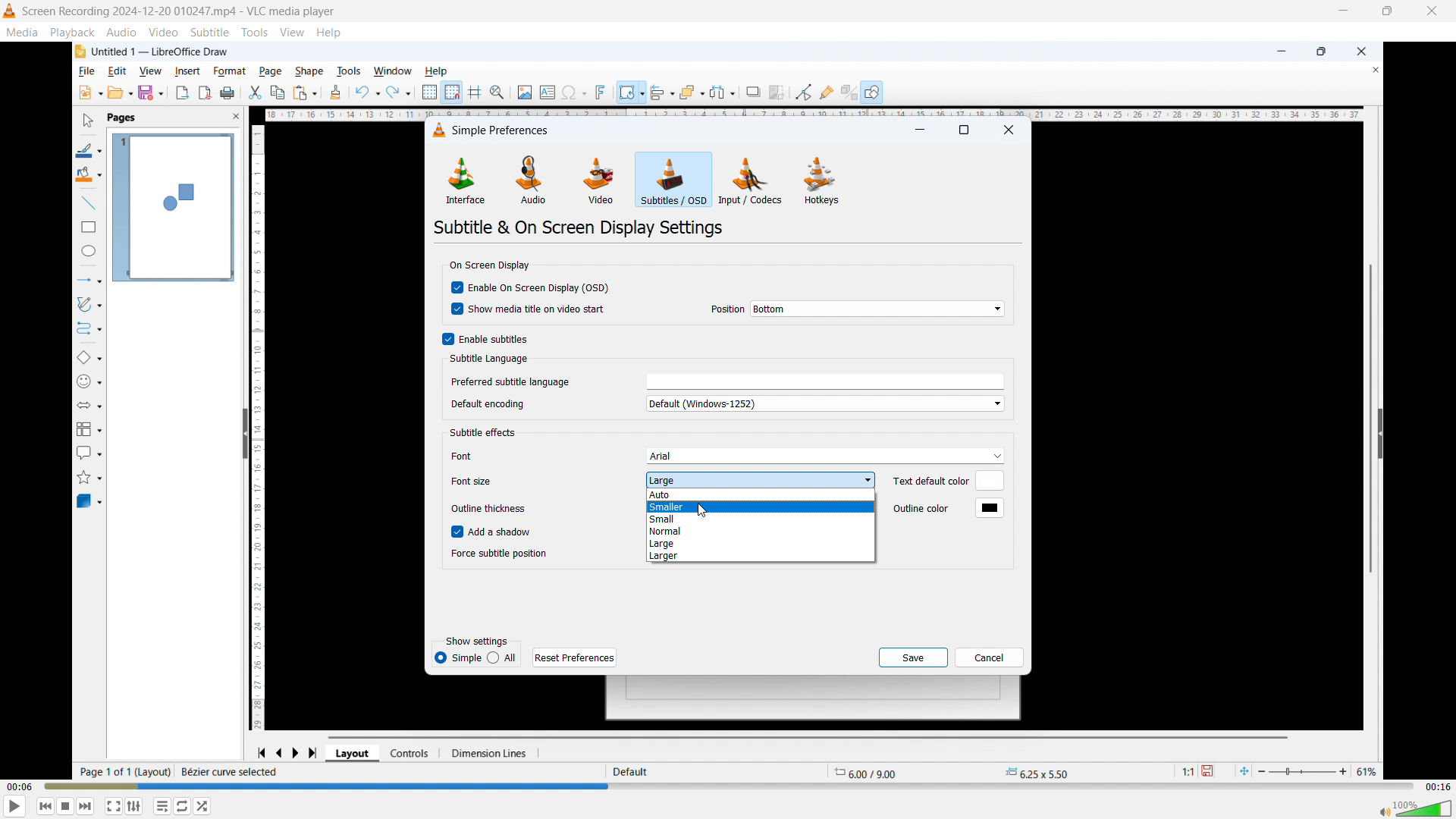 This screenshot has height=819, width=1456. Describe the element at coordinates (491, 265) in the screenshot. I see `On screen display ` at that location.